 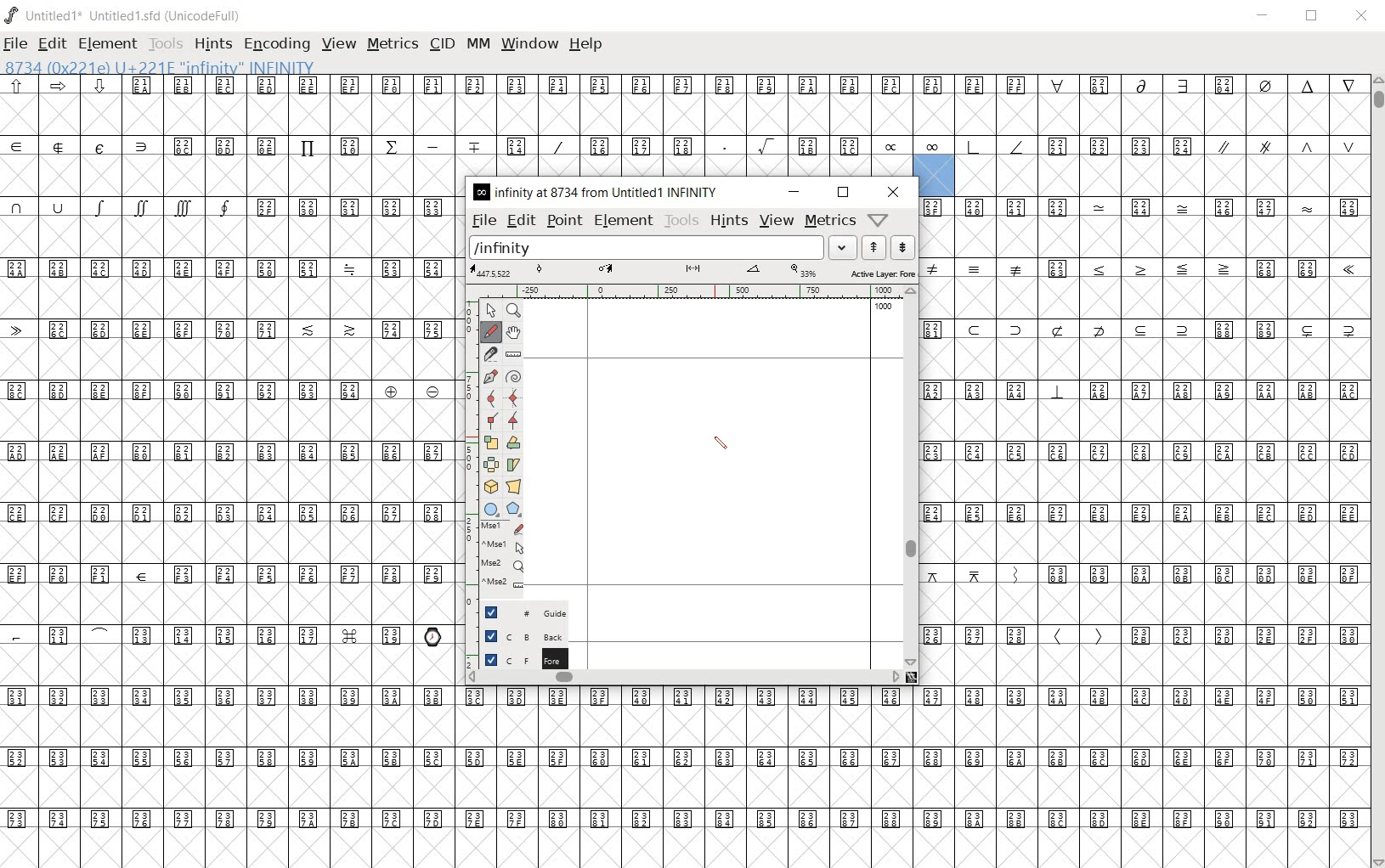 I want to click on Unicode code points, so click(x=231, y=452).